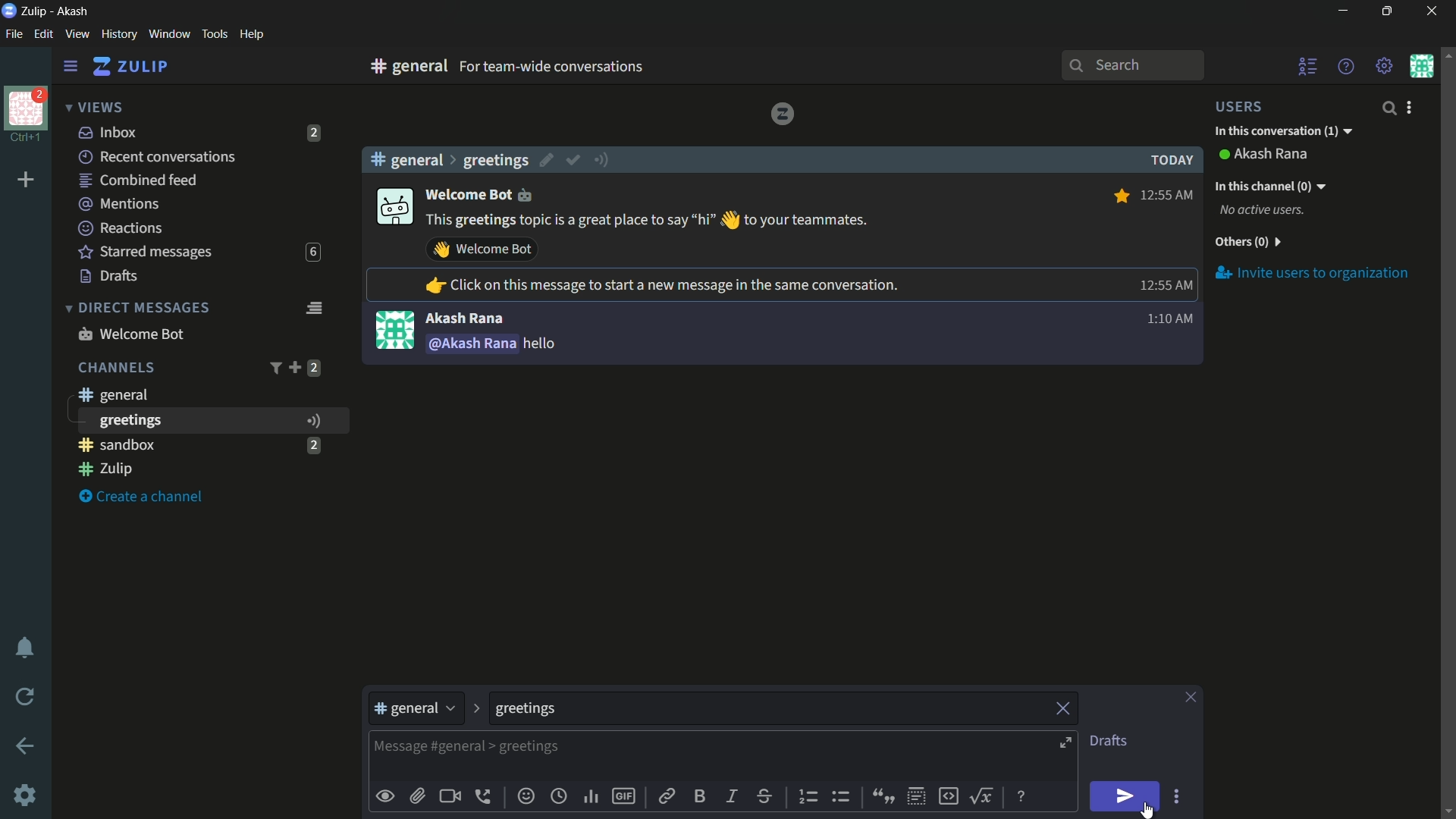 The height and width of the screenshot is (819, 1456). Describe the element at coordinates (840, 795) in the screenshot. I see `underordered list` at that location.